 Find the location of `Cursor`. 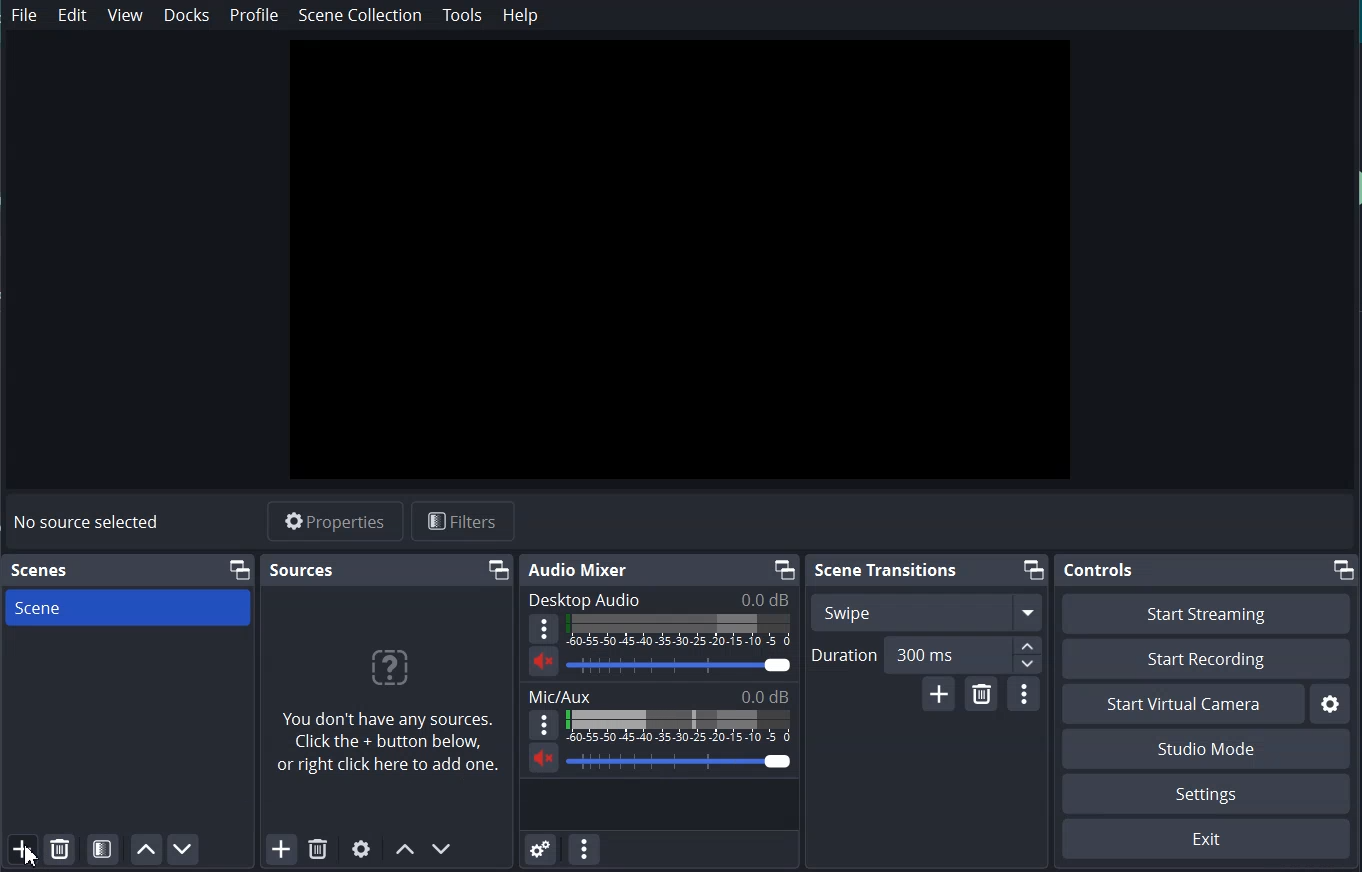

Cursor is located at coordinates (33, 857).